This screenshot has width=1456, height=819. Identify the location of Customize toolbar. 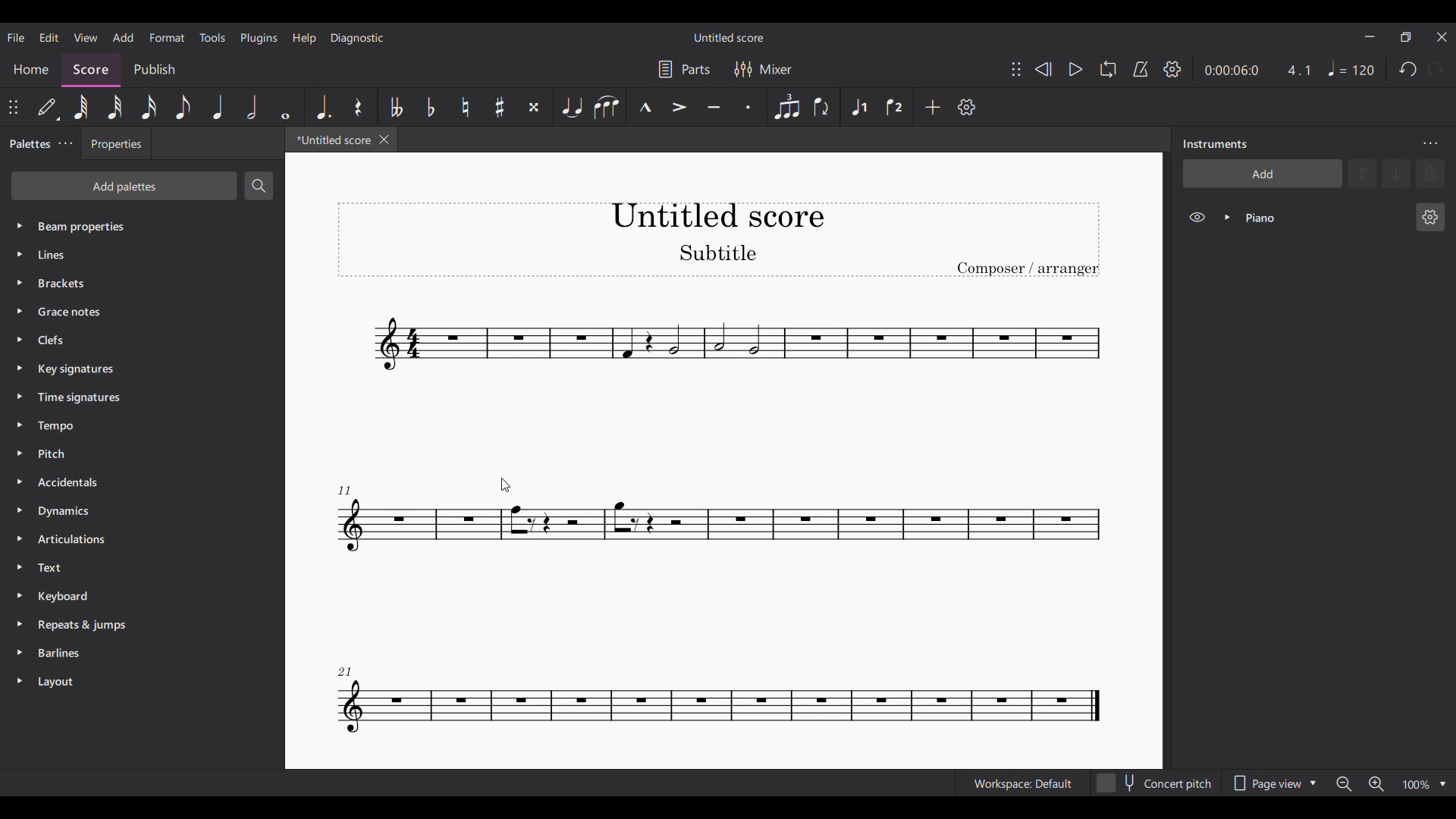
(966, 108).